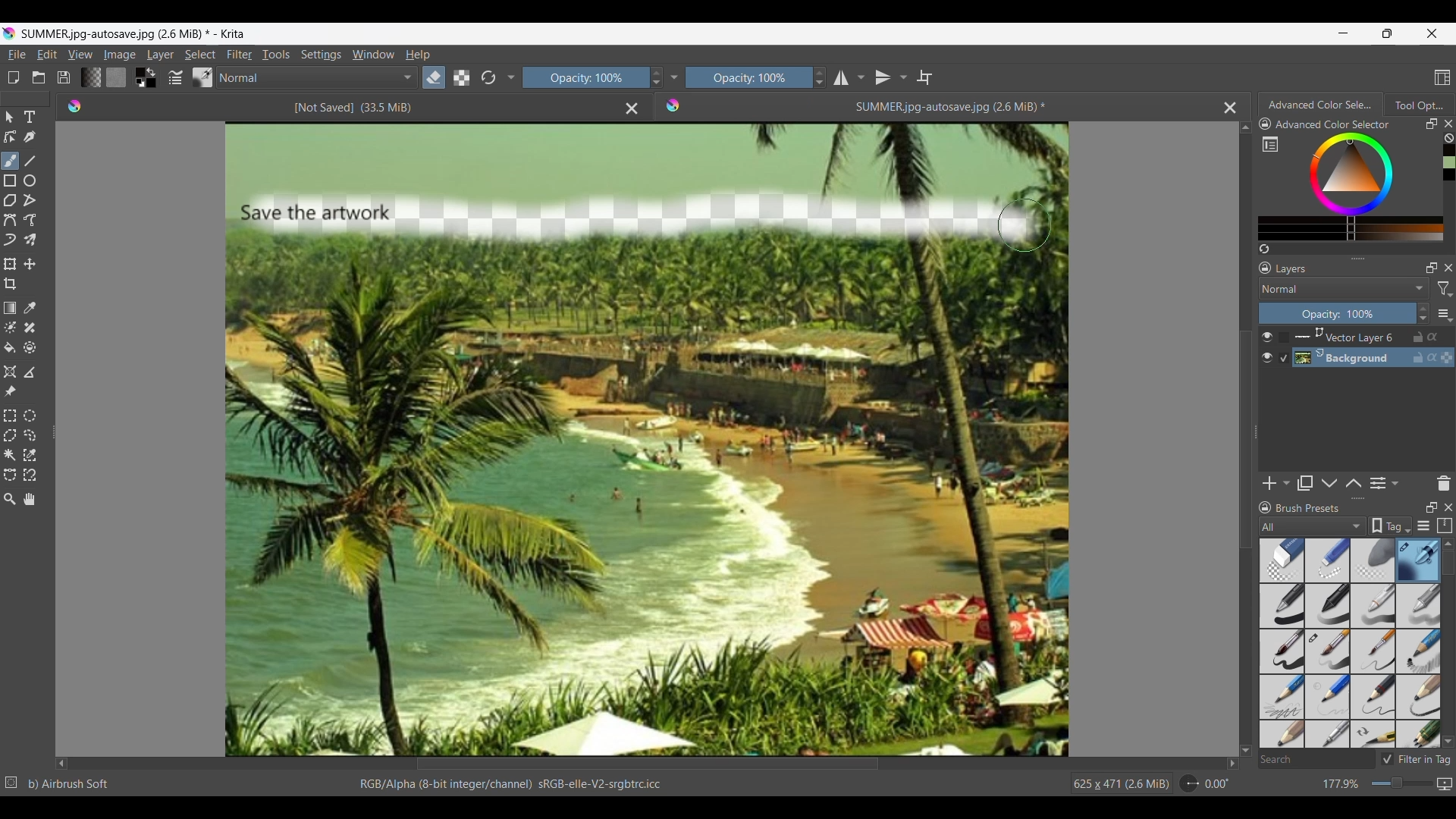 This screenshot has height=819, width=1456. I want to click on Lock color settings, so click(1266, 124).